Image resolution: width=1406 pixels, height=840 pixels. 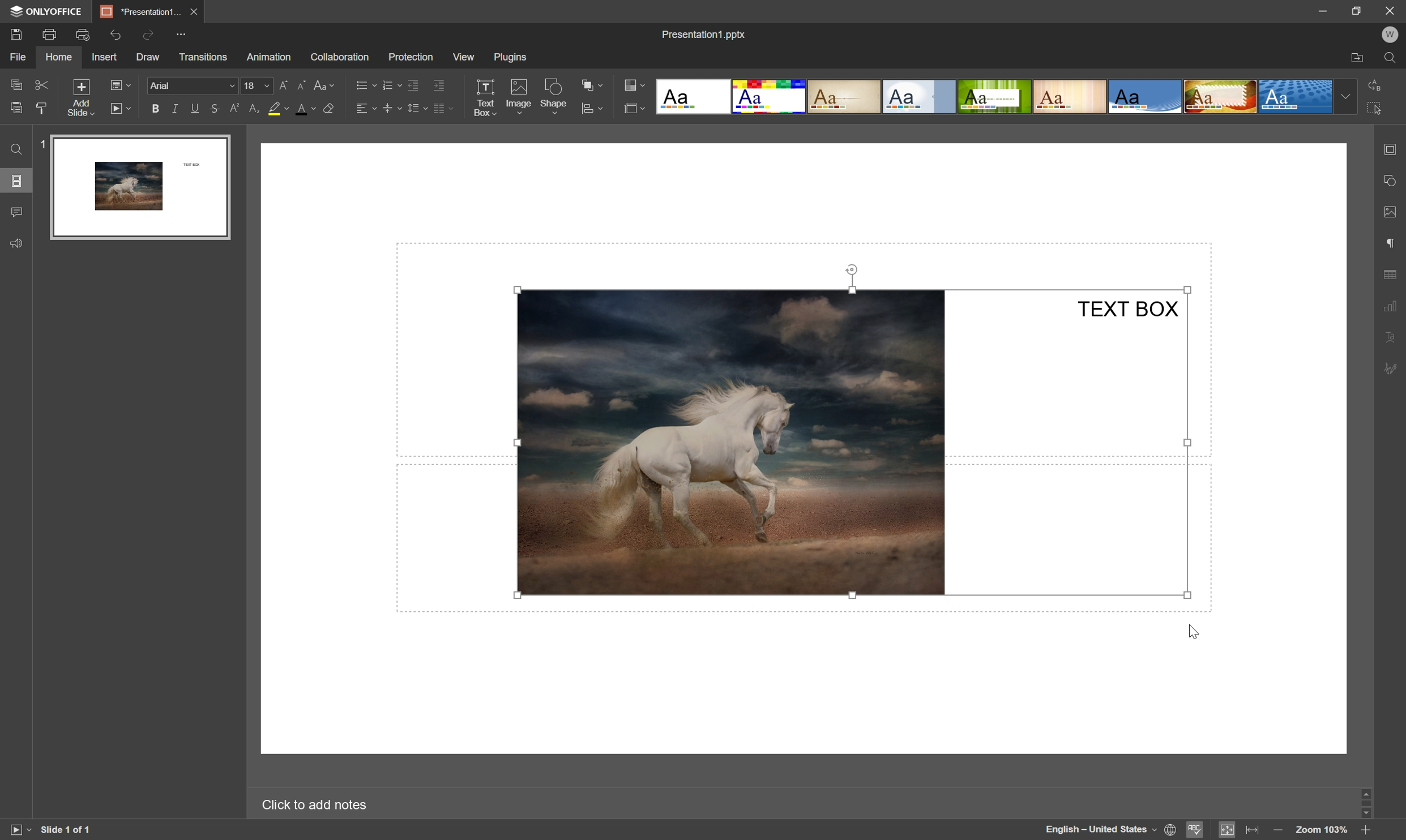 What do you see at coordinates (1391, 275) in the screenshot?
I see `table settings` at bounding box center [1391, 275].